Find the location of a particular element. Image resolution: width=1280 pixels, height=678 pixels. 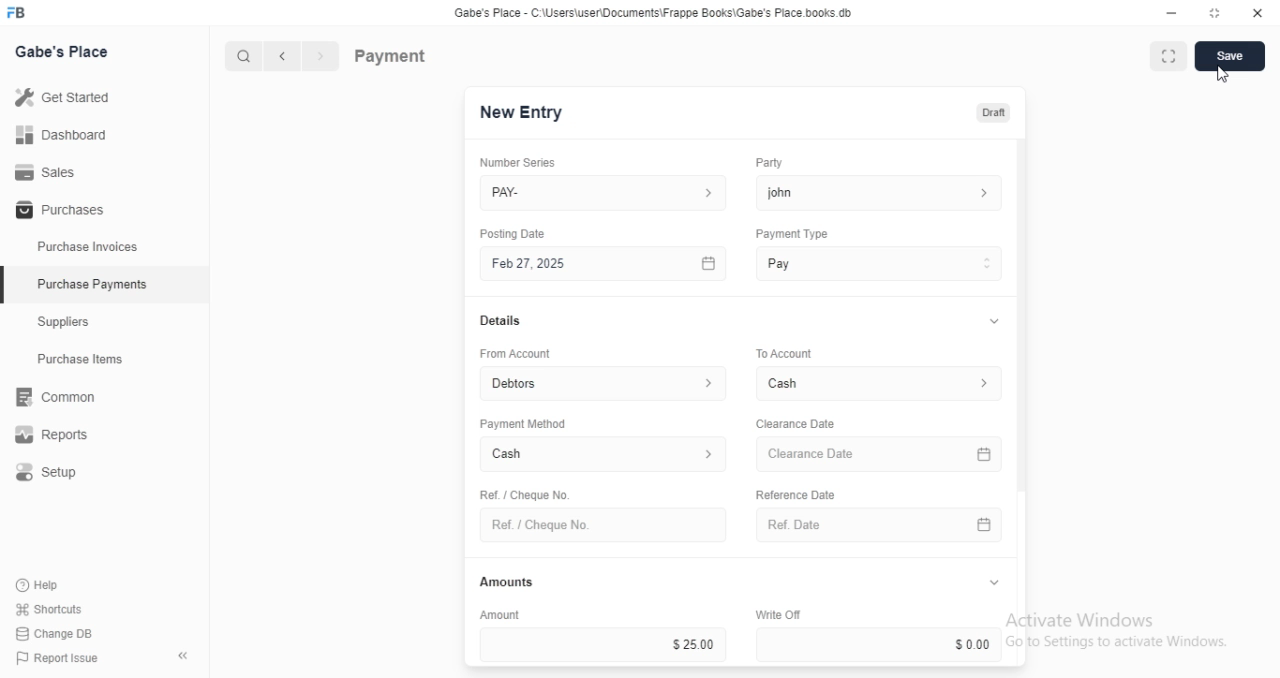

Save is located at coordinates (1229, 56).